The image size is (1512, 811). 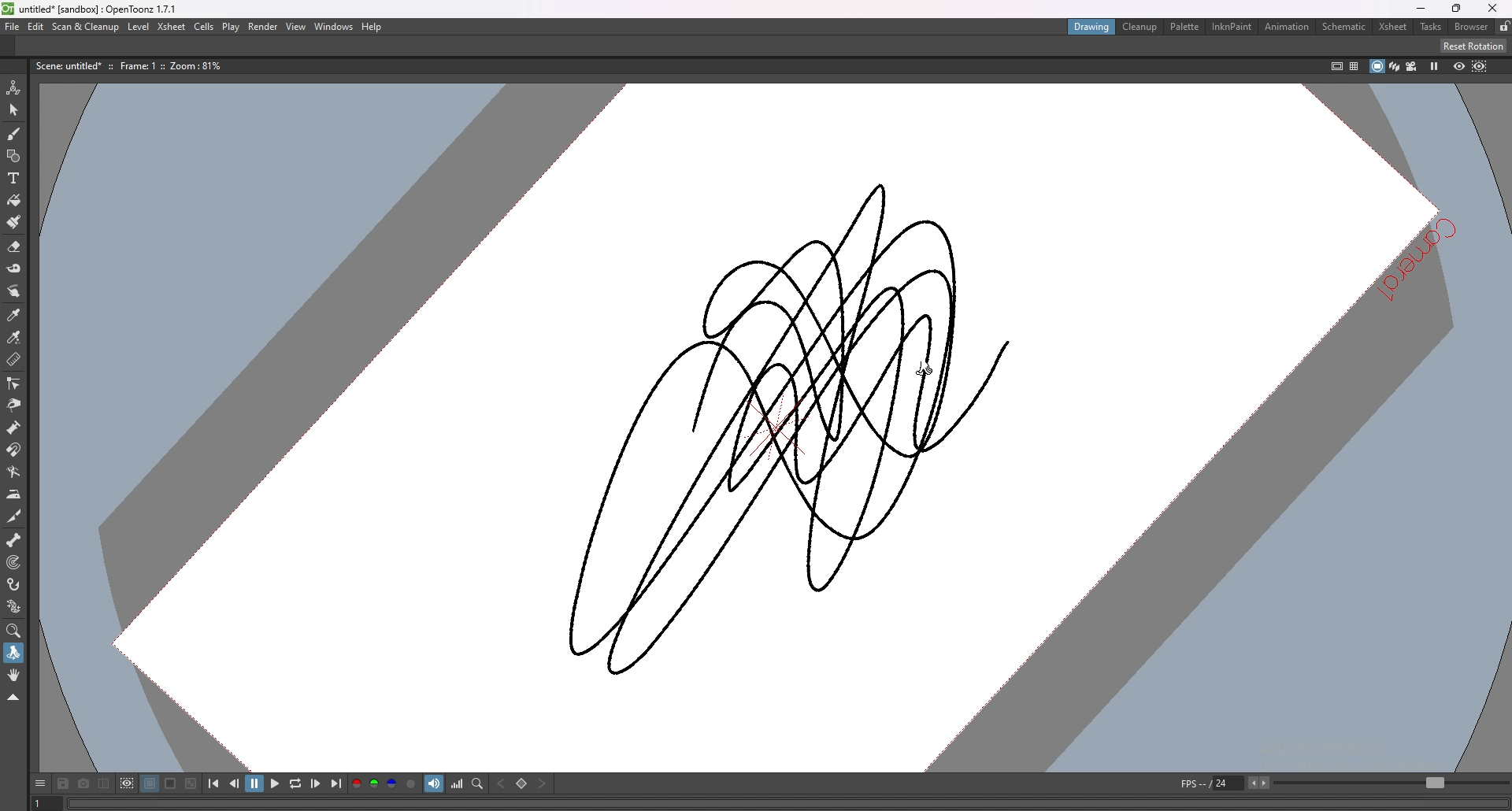 What do you see at coordinates (42, 803) in the screenshot?
I see `1` at bounding box center [42, 803].